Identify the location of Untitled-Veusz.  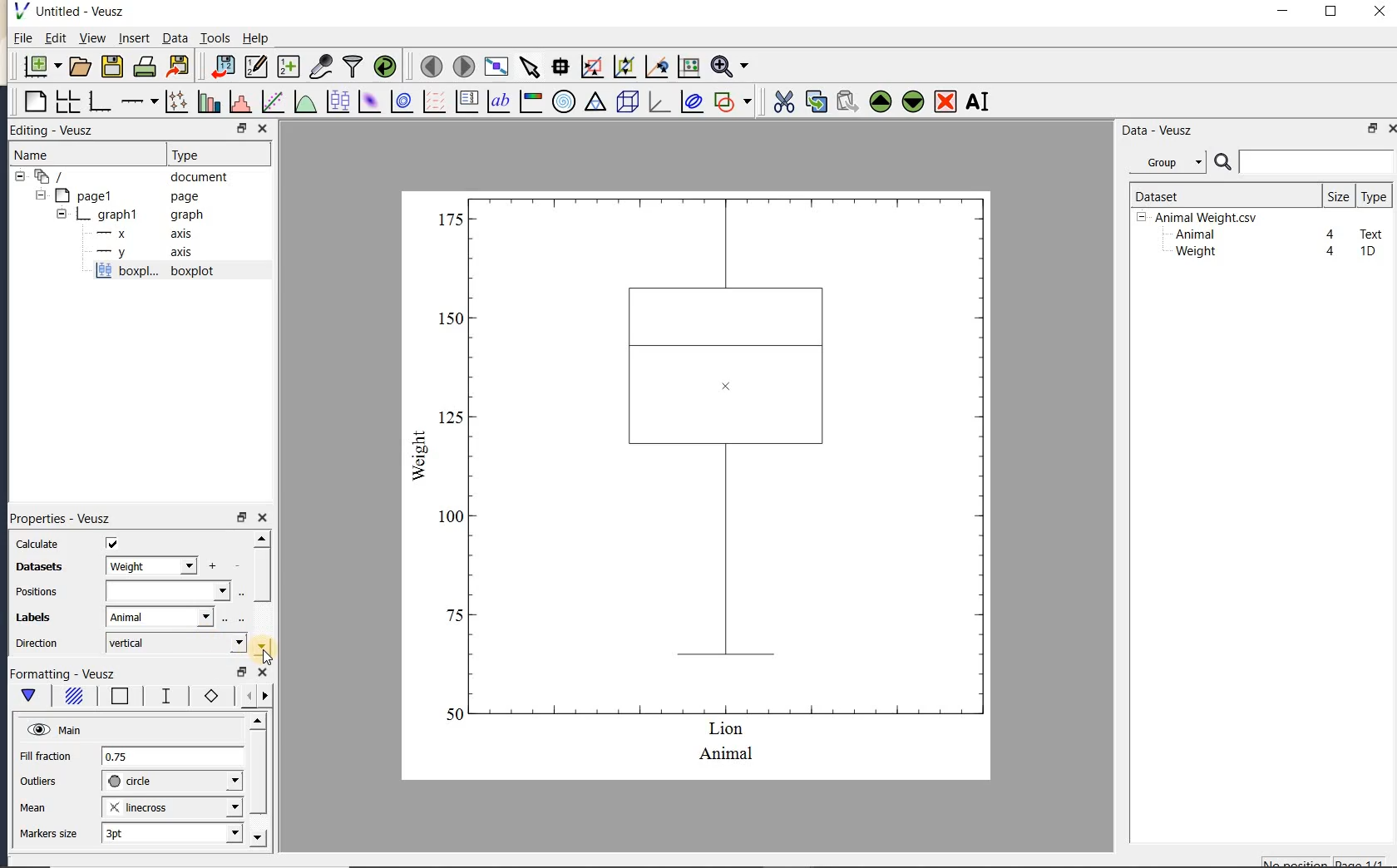
(74, 12).